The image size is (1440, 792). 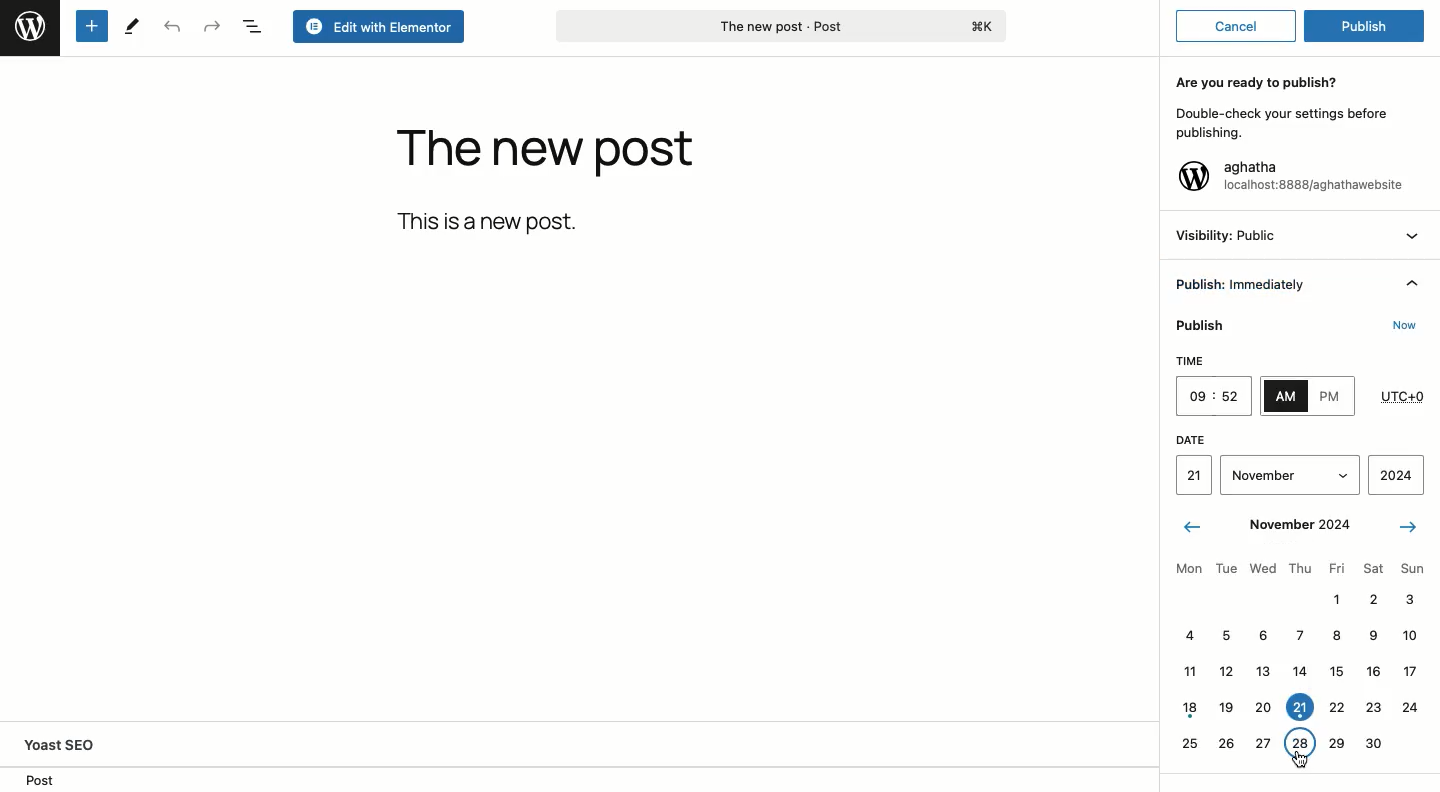 What do you see at coordinates (1285, 395) in the screenshot?
I see `AM` at bounding box center [1285, 395].